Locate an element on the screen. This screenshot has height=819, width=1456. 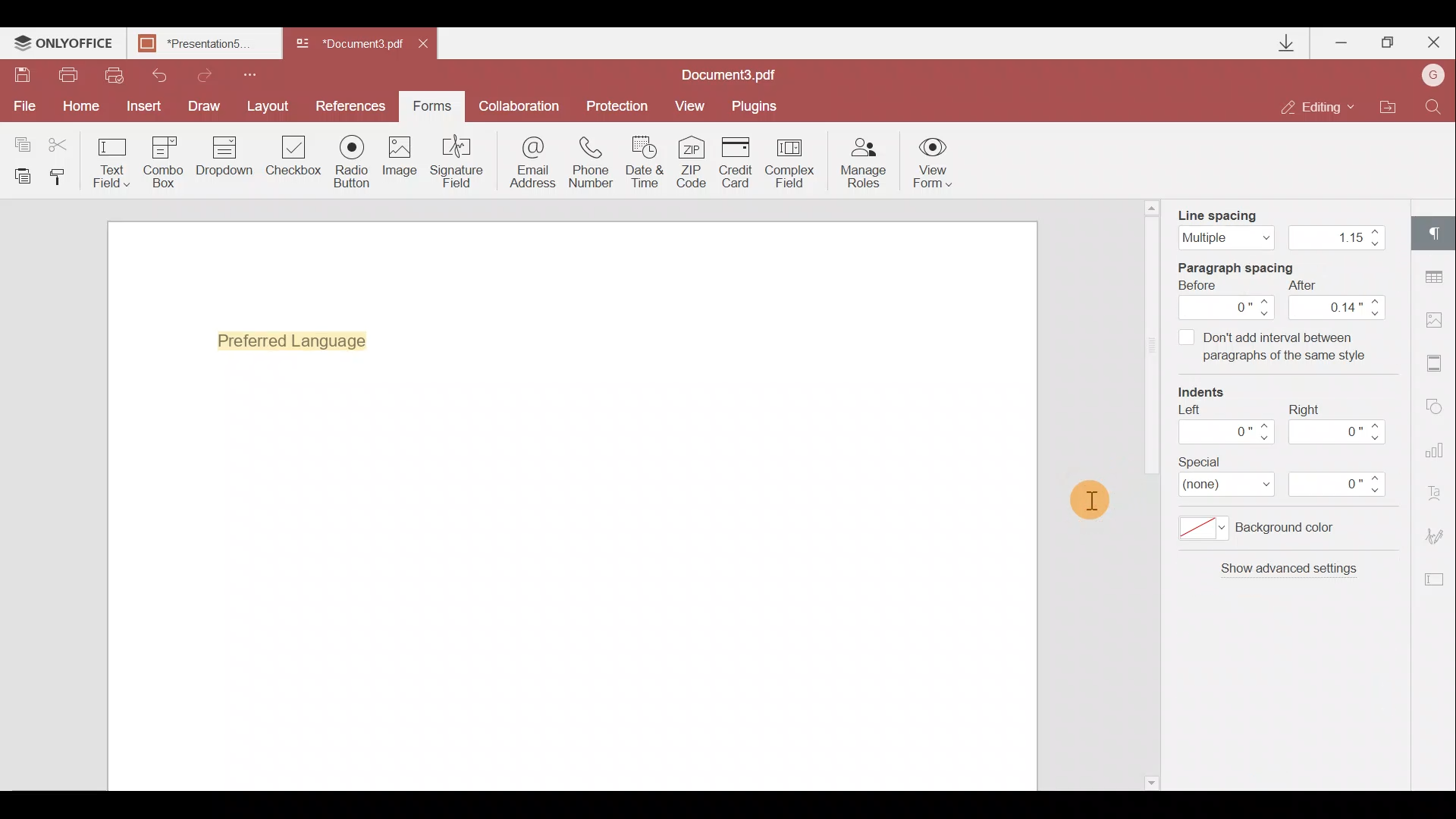
Combo box is located at coordinates (164, 159).